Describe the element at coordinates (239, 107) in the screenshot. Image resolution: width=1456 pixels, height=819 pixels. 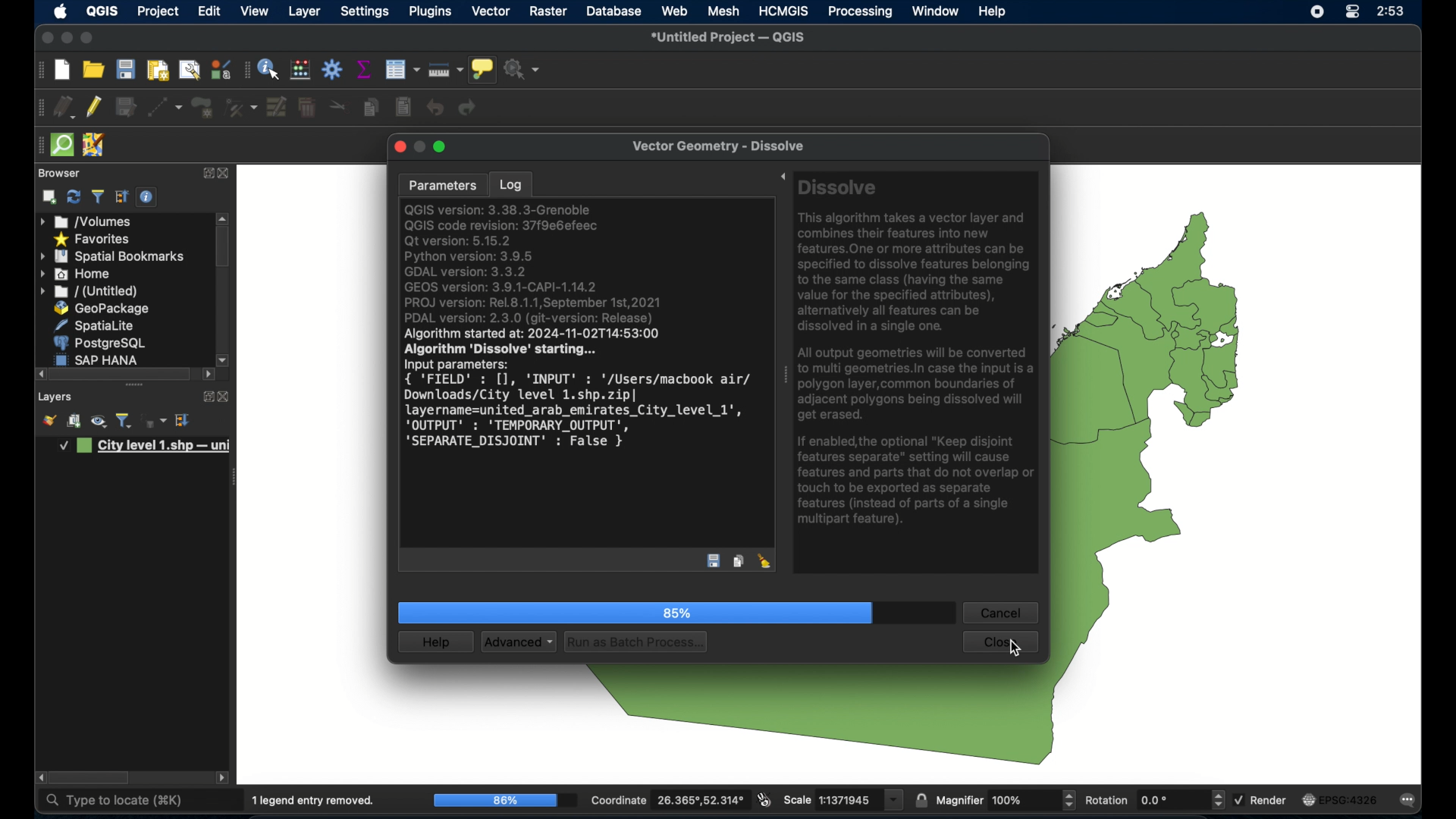
I see `vertes tool` at that location.